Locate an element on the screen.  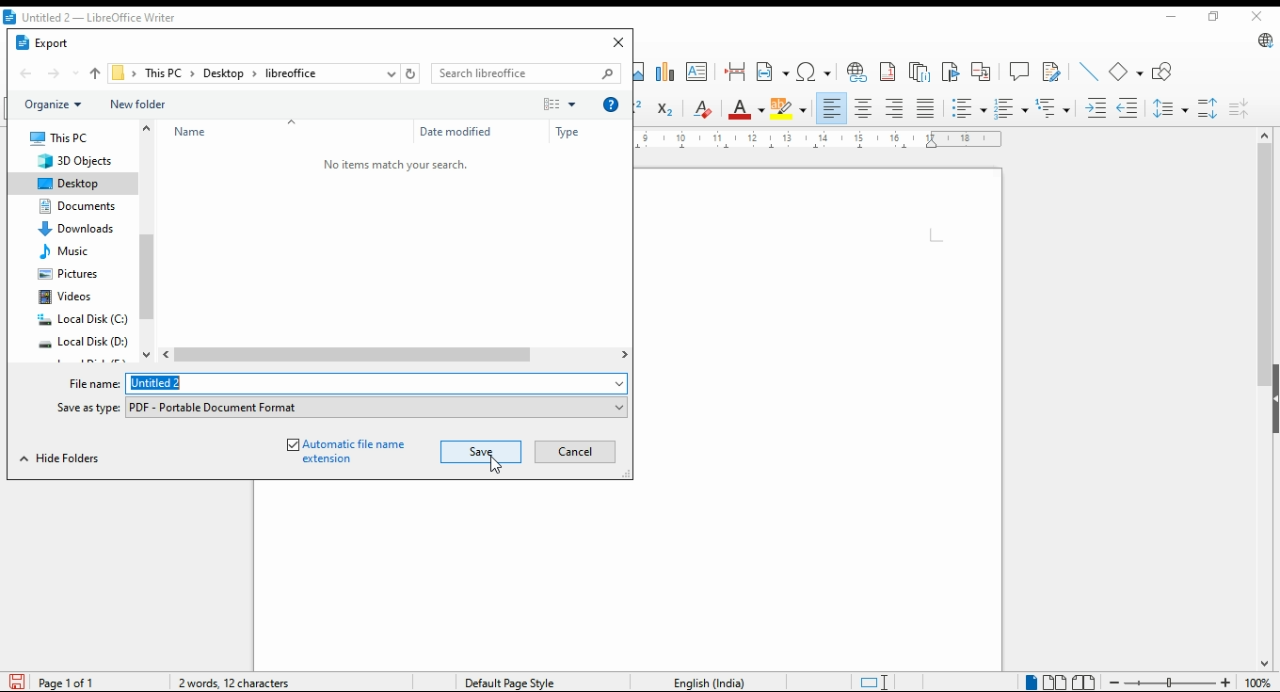
insert line is located at coordinates (1087, 71).